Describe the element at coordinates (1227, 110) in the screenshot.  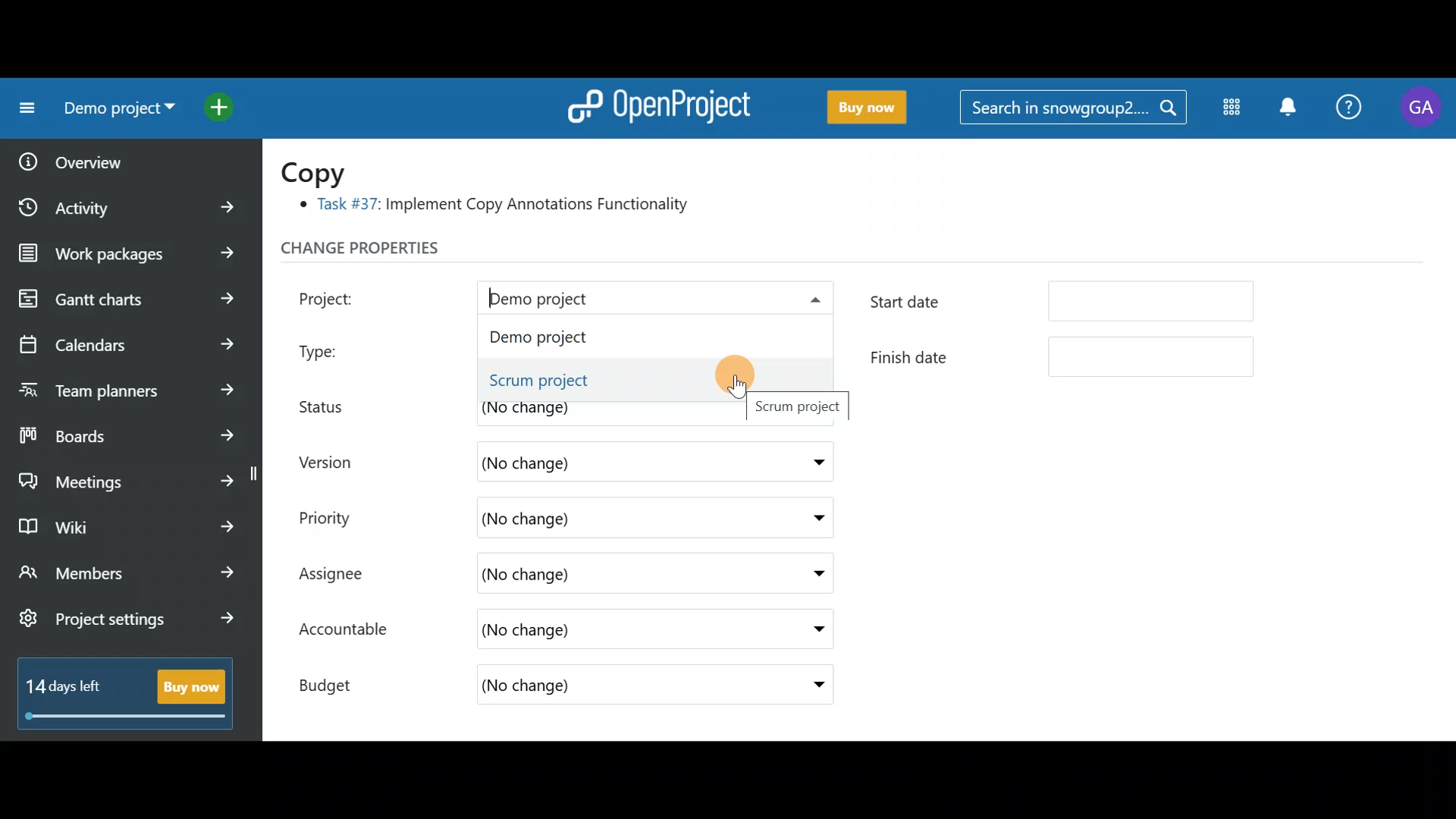
I see `Modules` at that location.